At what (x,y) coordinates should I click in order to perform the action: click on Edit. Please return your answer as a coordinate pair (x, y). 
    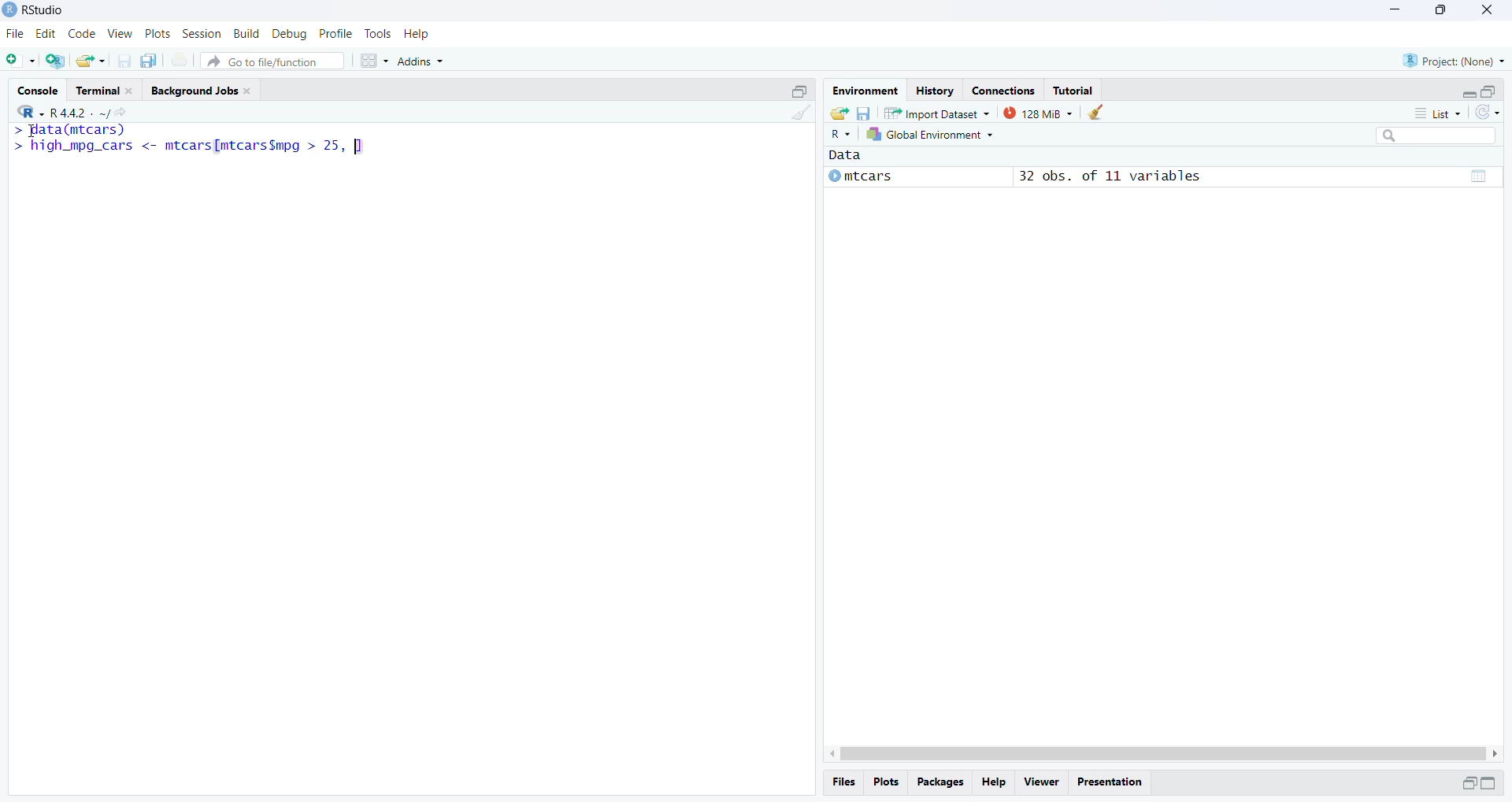
    Looking at the image, I should click on (47, 34).